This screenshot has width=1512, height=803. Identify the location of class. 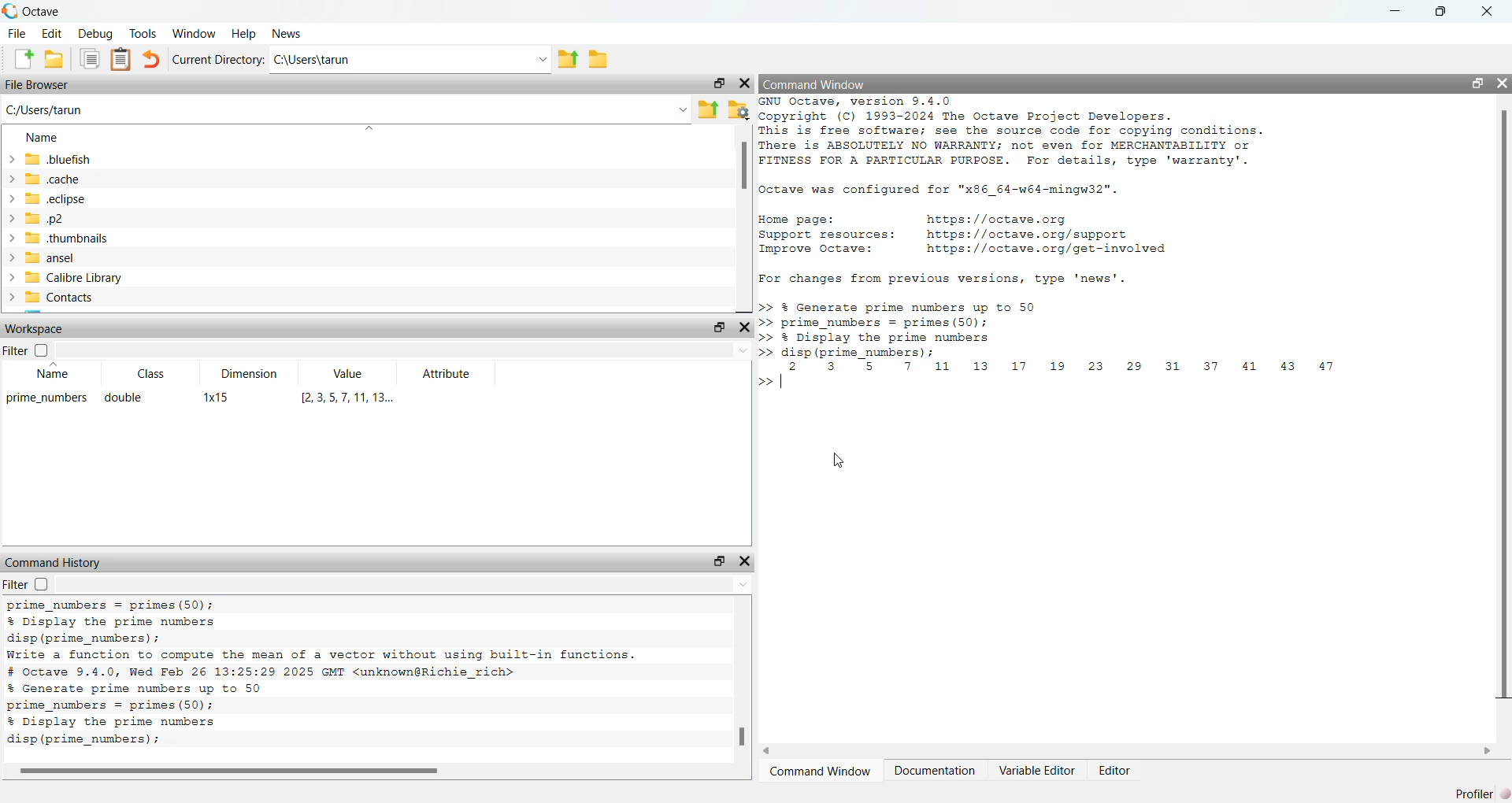
(154, 374).